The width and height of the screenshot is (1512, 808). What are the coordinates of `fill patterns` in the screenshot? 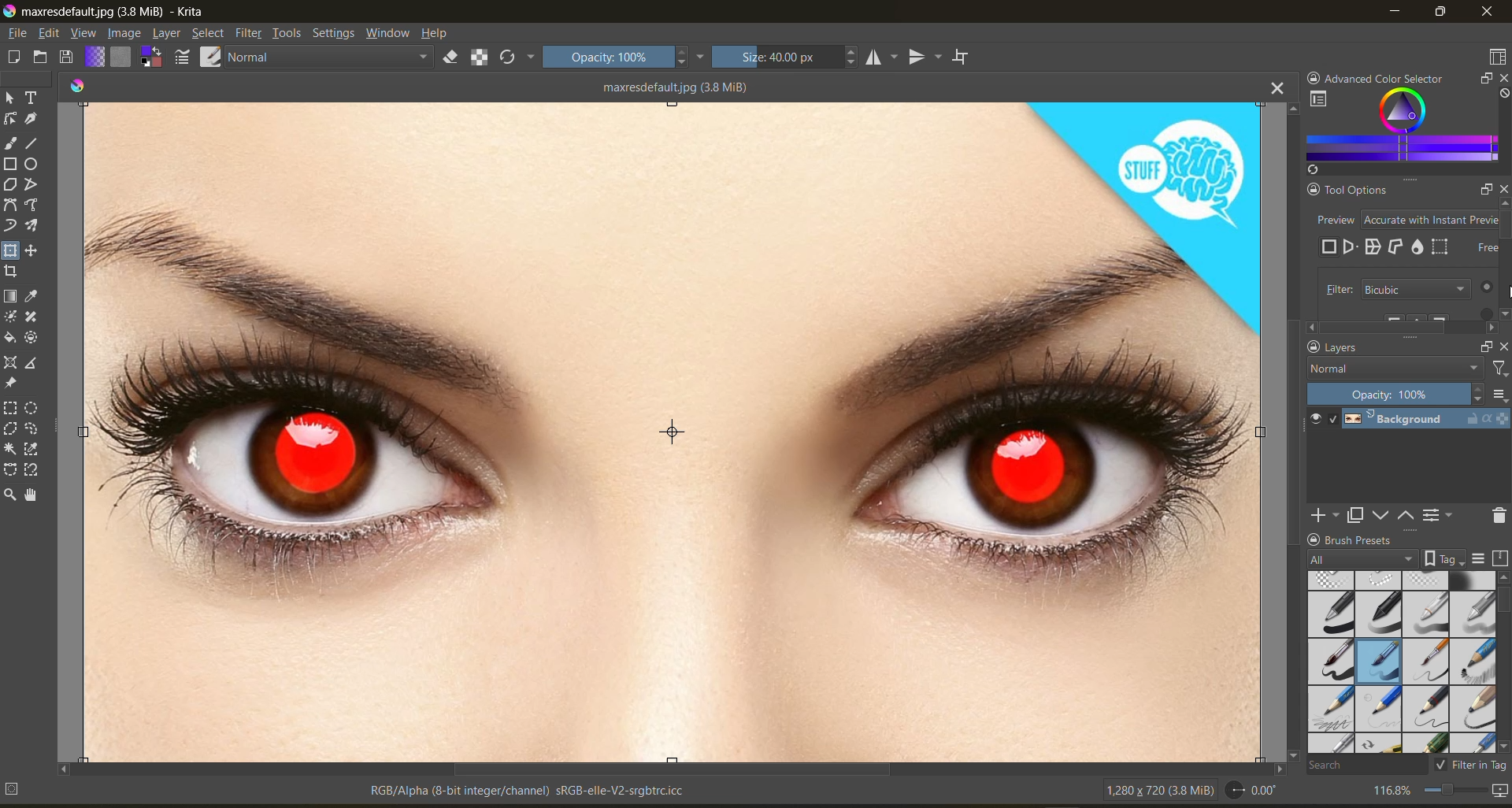 It's located at (123, 57).